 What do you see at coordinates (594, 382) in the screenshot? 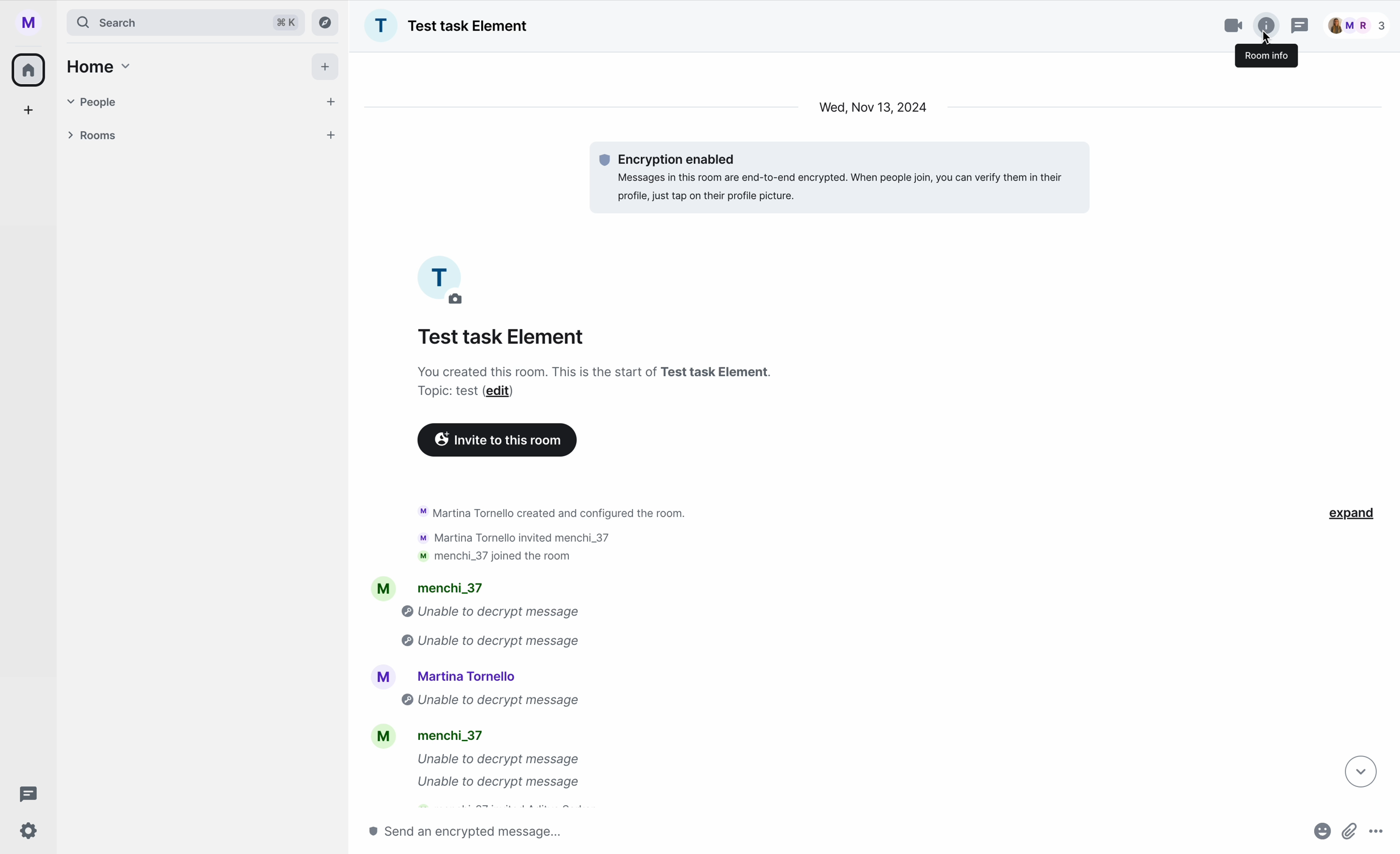
I see `description` at bounding box center [594, 382].